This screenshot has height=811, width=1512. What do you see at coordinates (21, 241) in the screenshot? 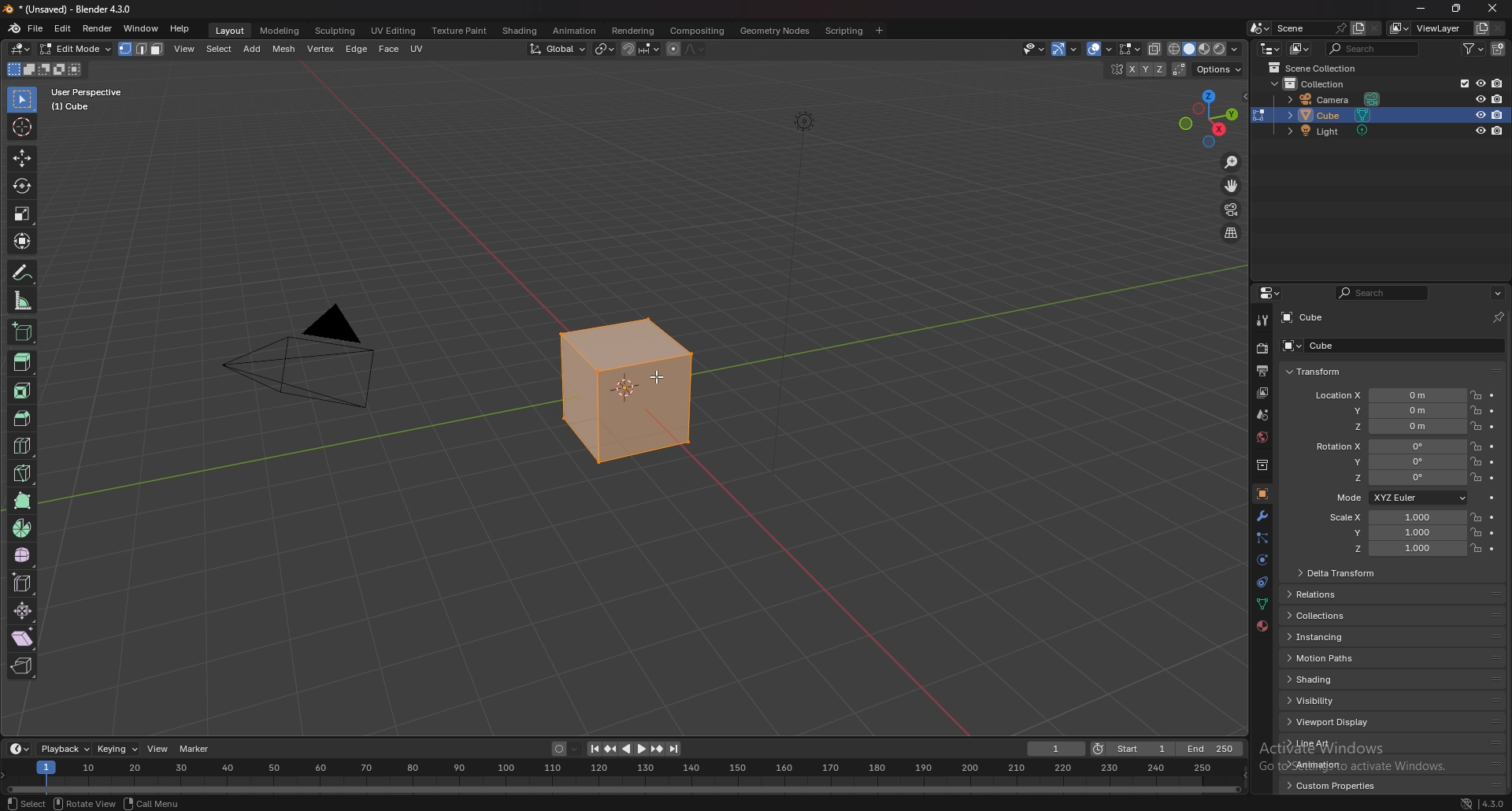
I see `transform` at bounding box center [21, 241].